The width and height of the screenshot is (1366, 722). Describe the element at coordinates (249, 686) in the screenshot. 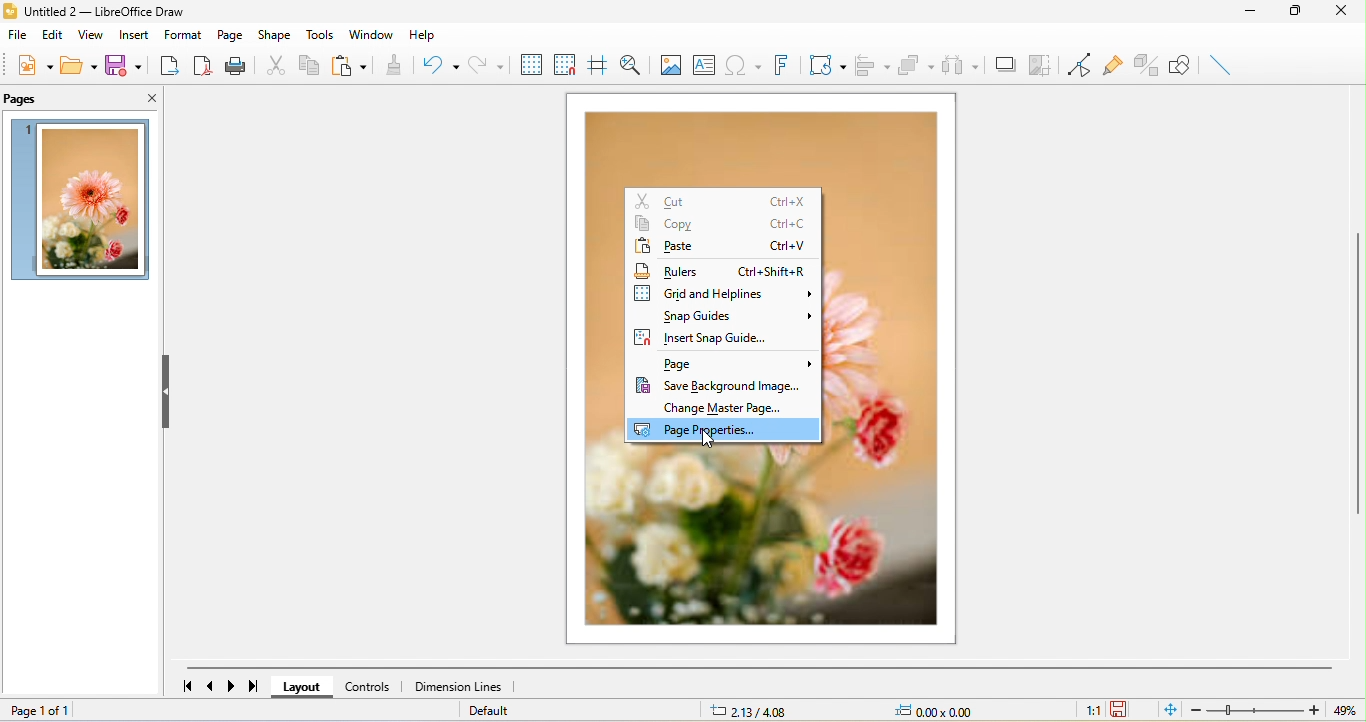

I see `last page` at that location.